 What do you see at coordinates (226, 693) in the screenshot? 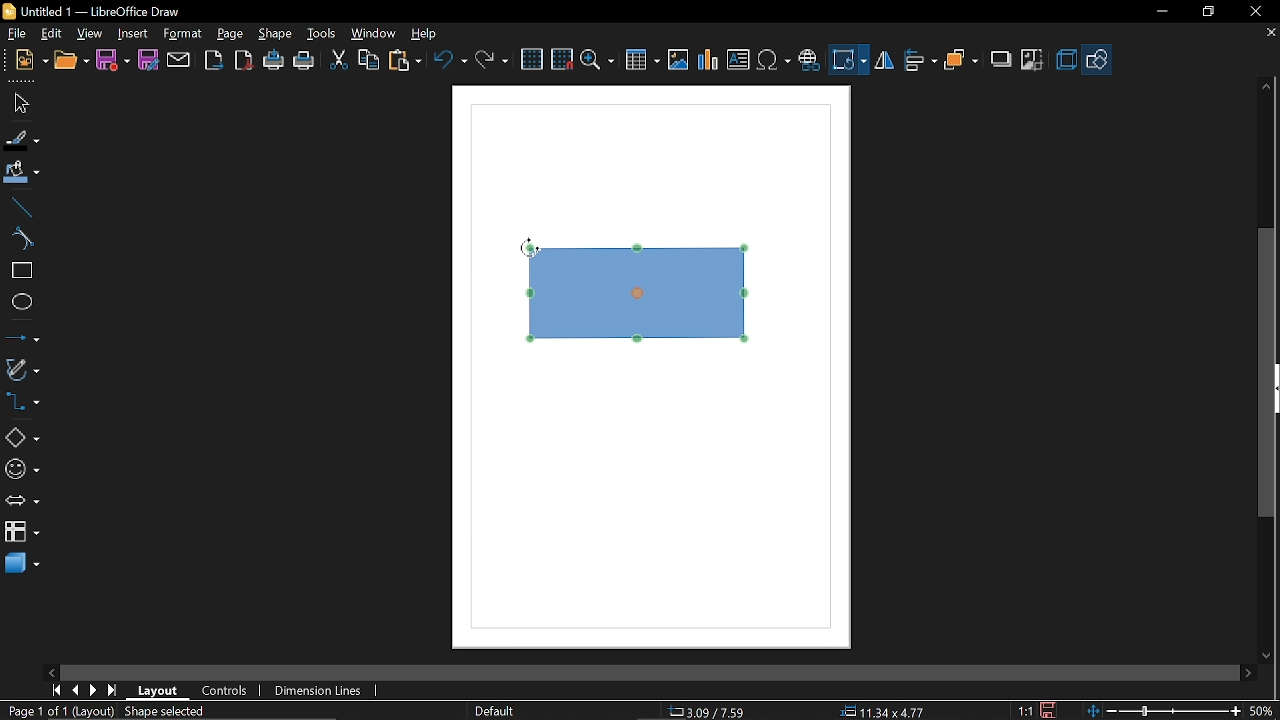
I see `controls` at bounding box center [226, 693].